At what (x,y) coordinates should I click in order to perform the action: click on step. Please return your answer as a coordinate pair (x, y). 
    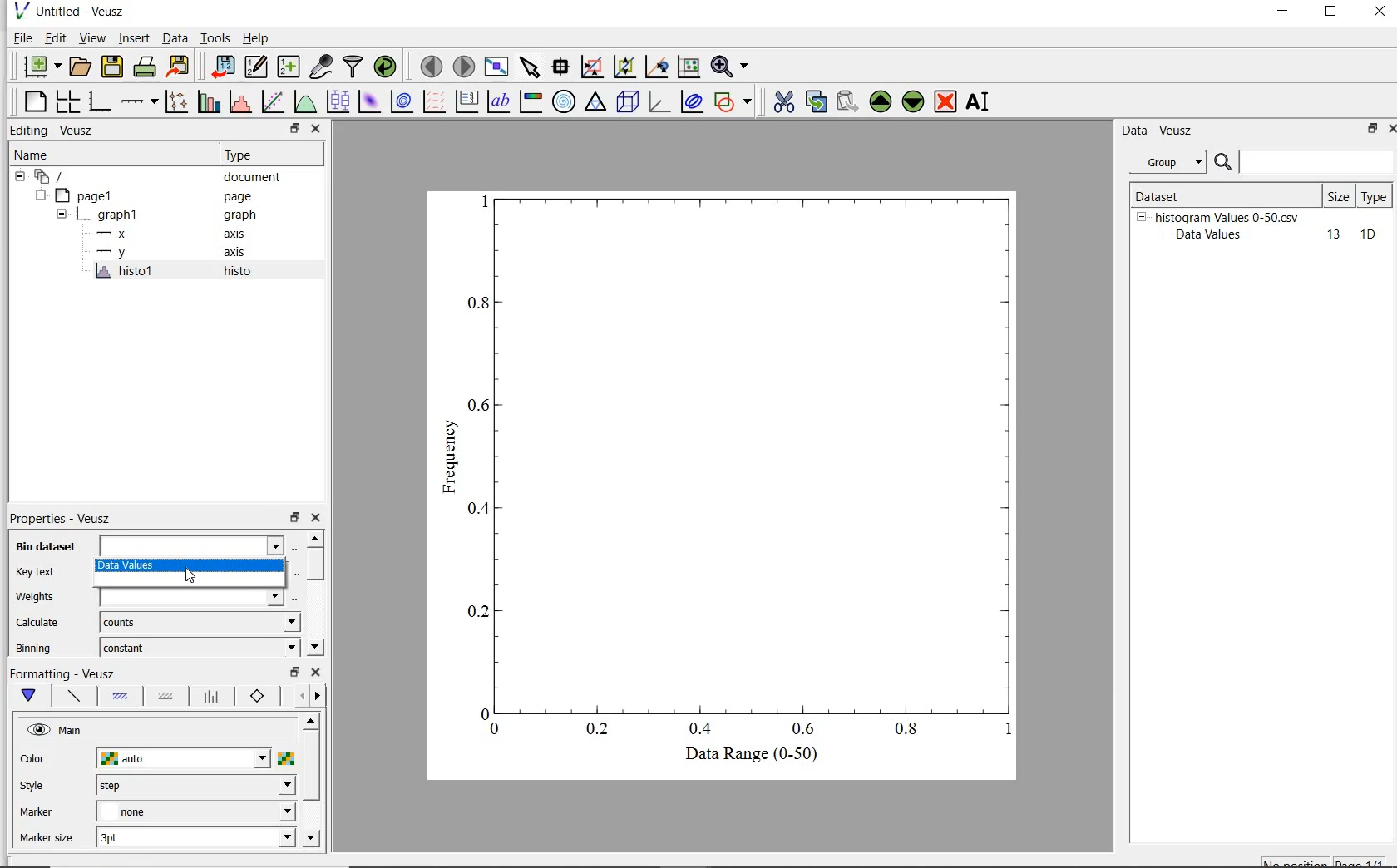
    Looking at the image, I should click on (195, 785).